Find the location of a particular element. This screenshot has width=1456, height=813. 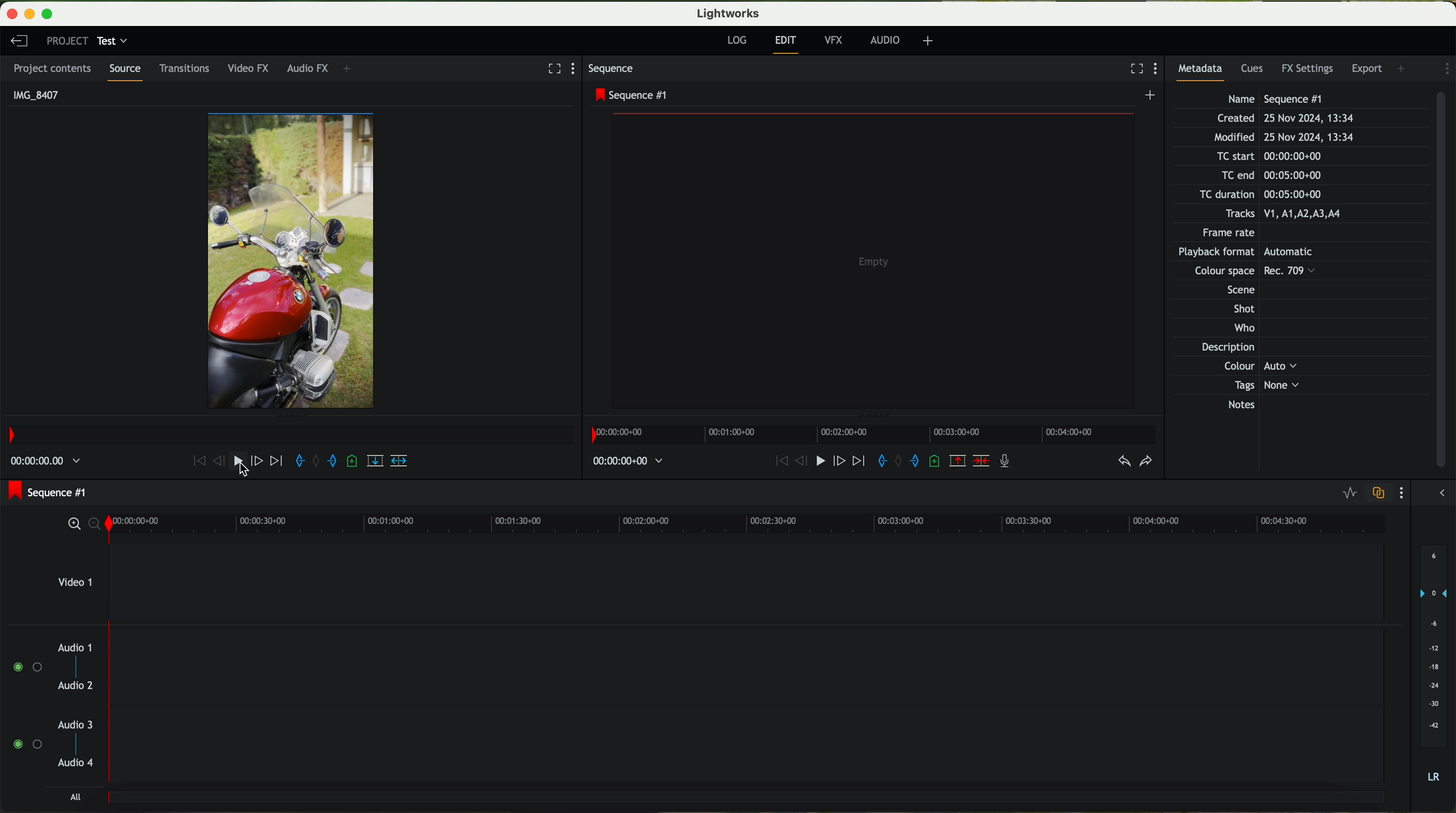

play is located at coordinates (814, 462).